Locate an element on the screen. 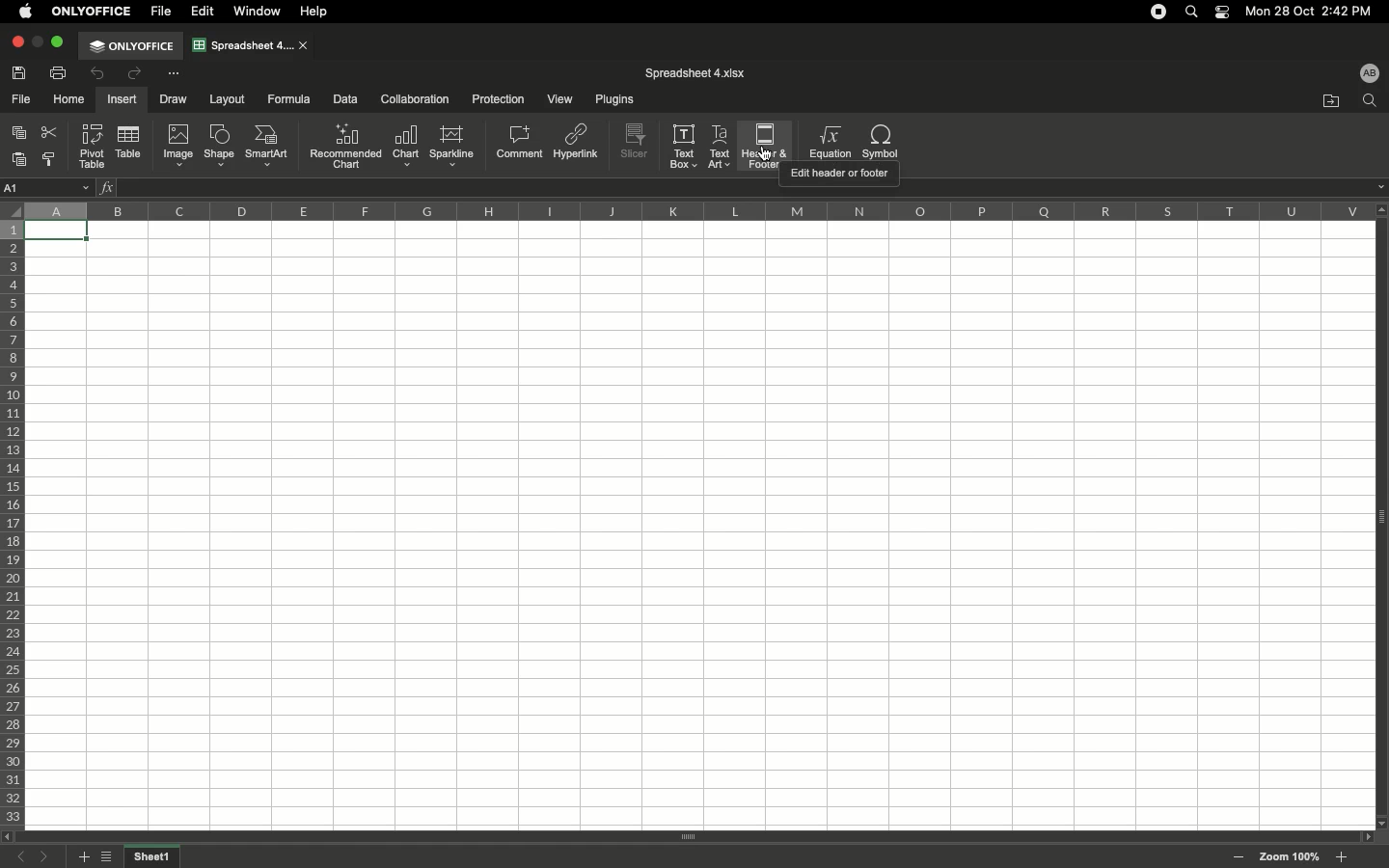 This screenshot has width=1389, height=868. Copy style is located at coordinates (51, 160).